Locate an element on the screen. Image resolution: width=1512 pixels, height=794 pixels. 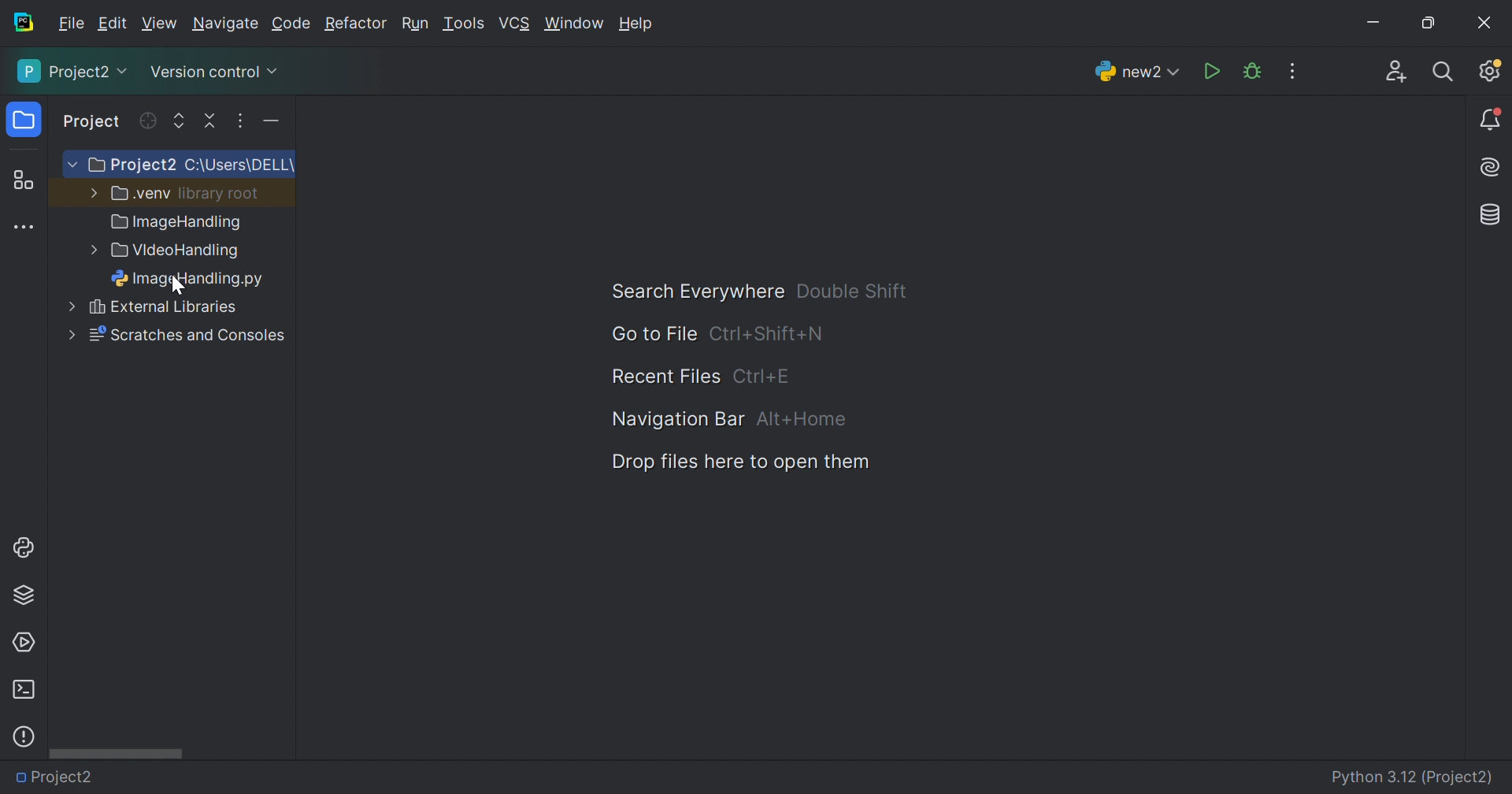
Problems is located at coordinates (24, 736).